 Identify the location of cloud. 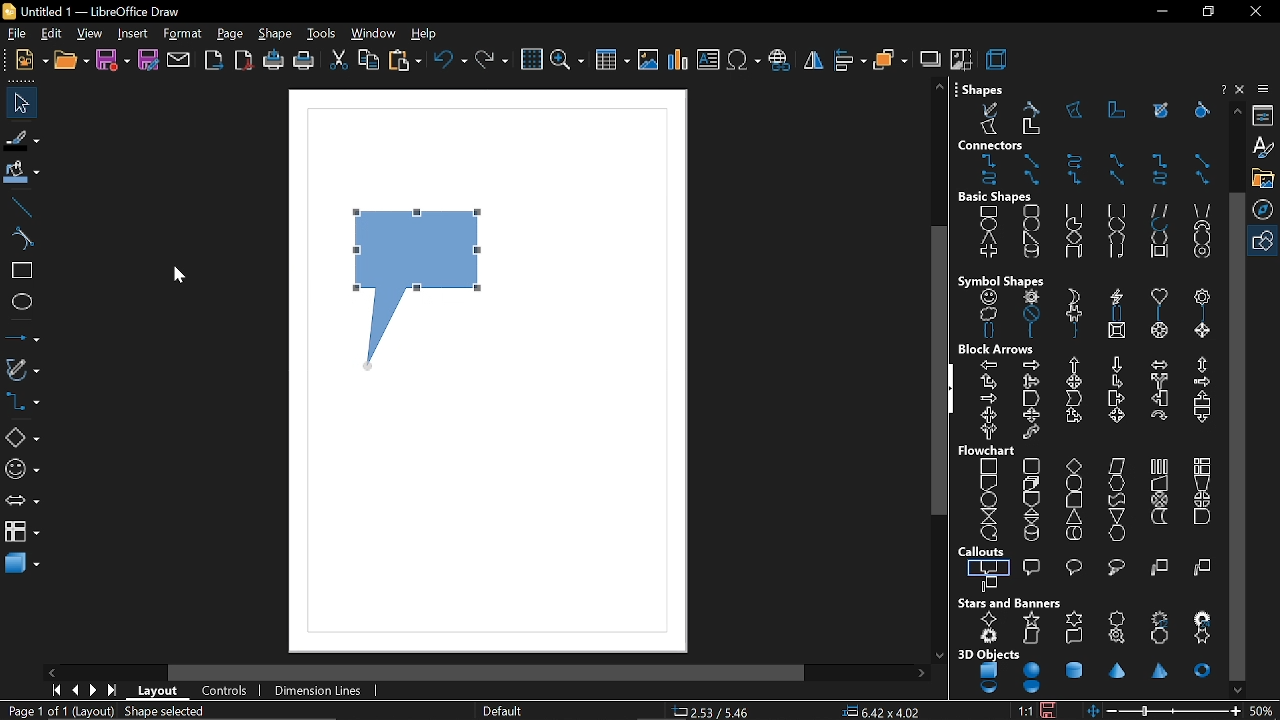
(984, 313).